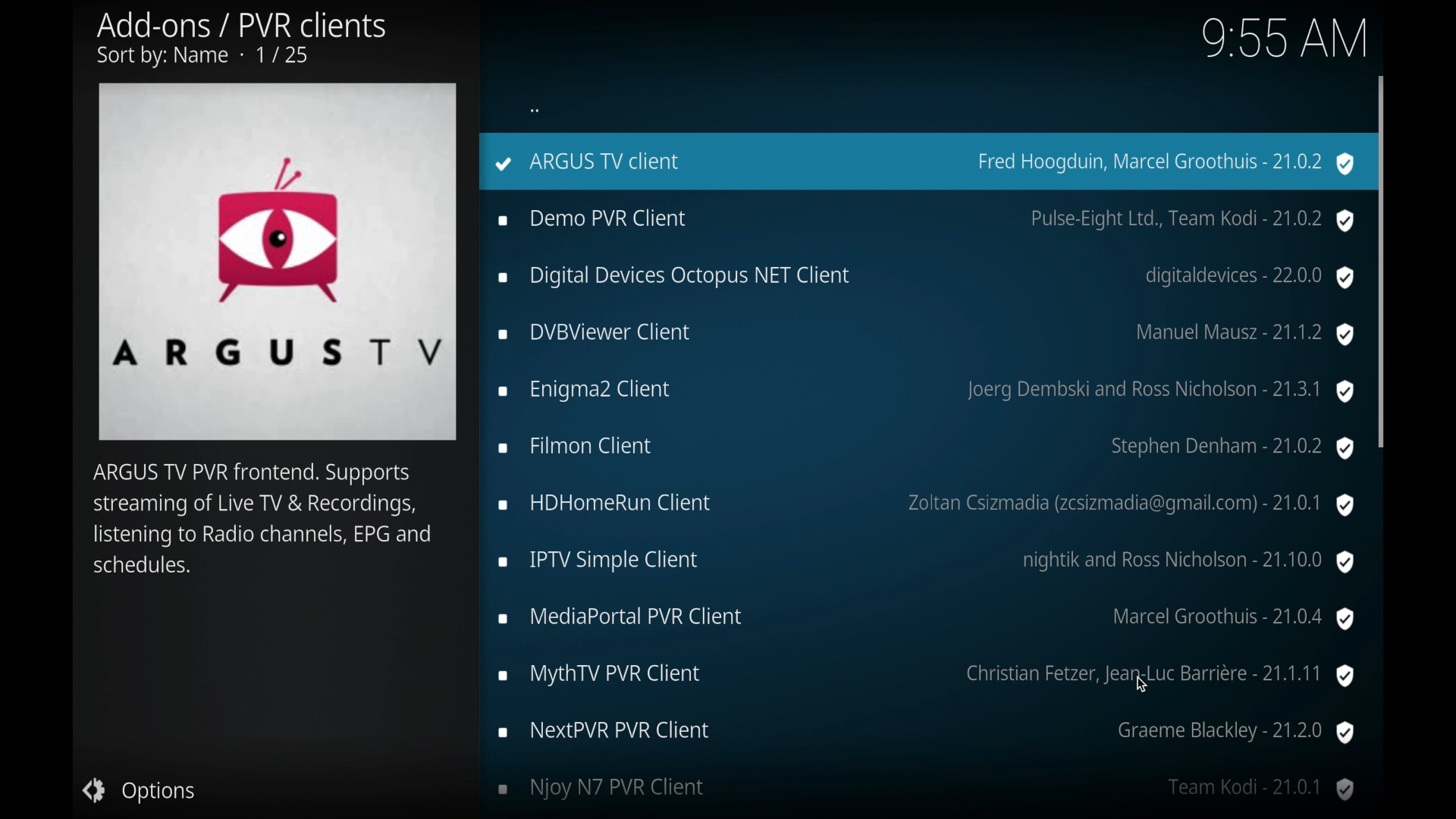 This screenshot has height=819, width=1456. What do you see at coordinates (259, 524) in the screenshot?
I see `ARGUS TV PVR frontend. Supports
streaming of Live TV & Recordings,
listening to Radio channels, EPG and
schedules.` at bounding box center [259, 524].